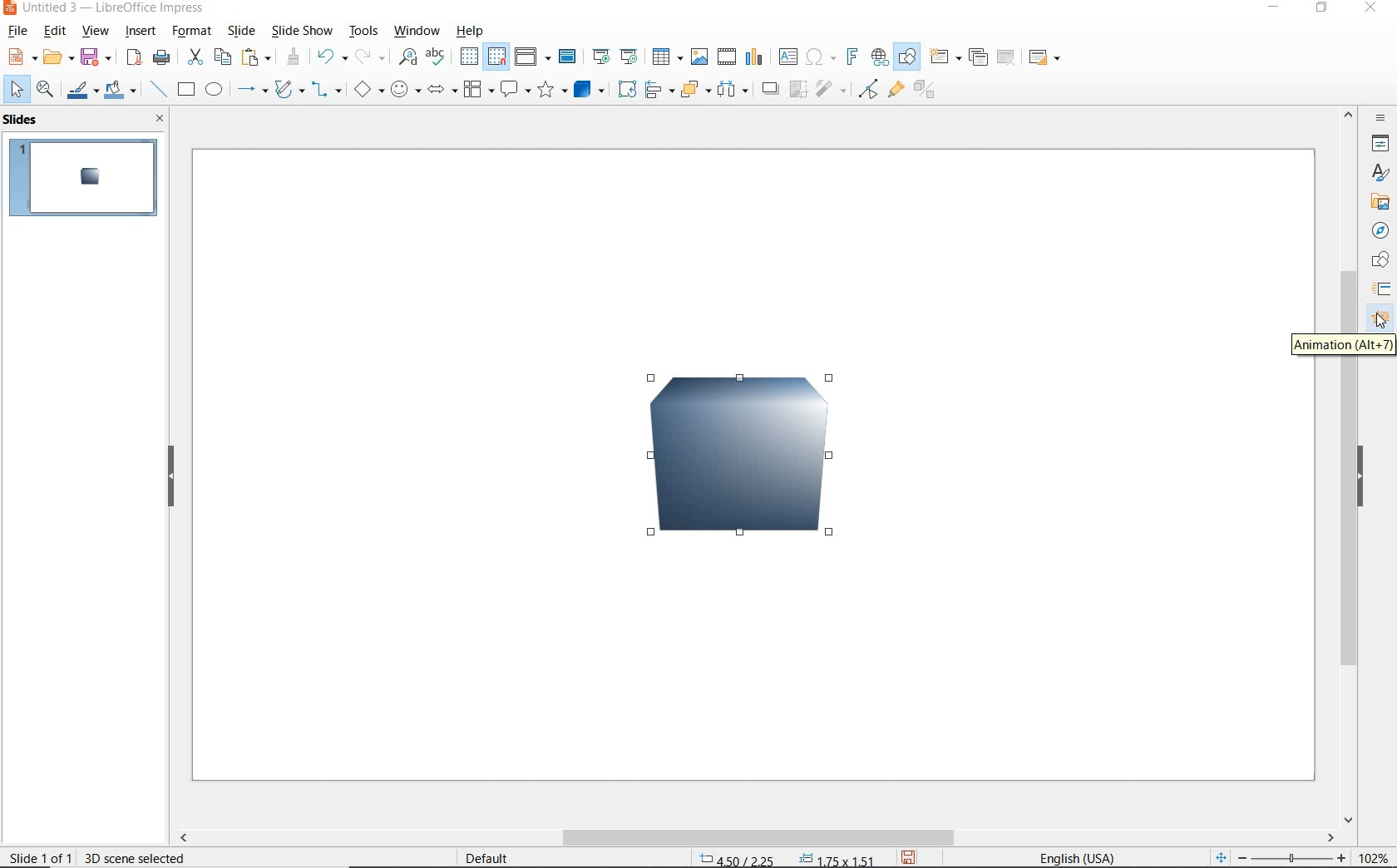  What do you see at coordinates (1381, 323) in the screenshot?
I see `cursor` at bounding box center [1381, 323].